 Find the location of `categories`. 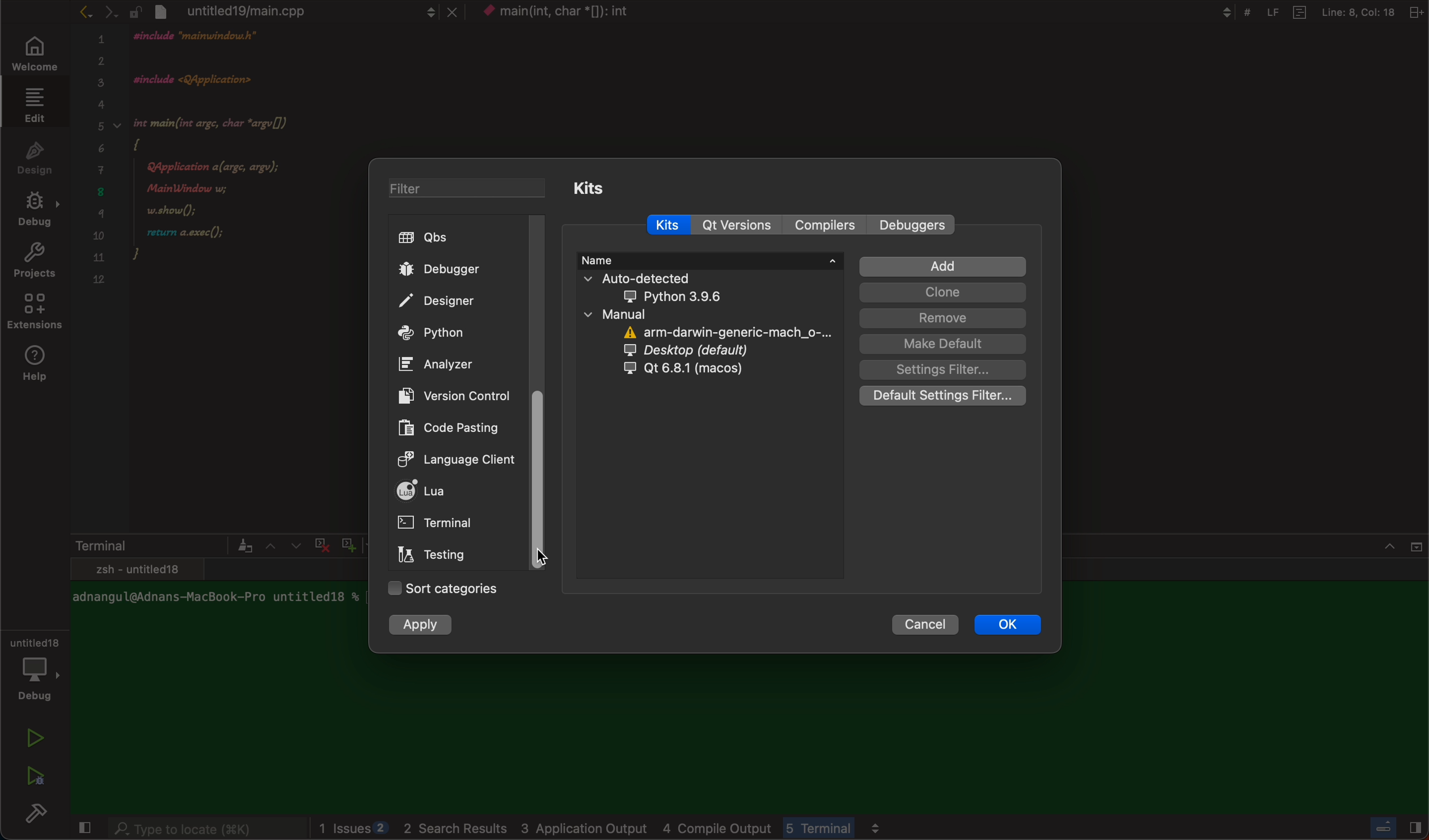

categories is located at coordinates (442, 589).